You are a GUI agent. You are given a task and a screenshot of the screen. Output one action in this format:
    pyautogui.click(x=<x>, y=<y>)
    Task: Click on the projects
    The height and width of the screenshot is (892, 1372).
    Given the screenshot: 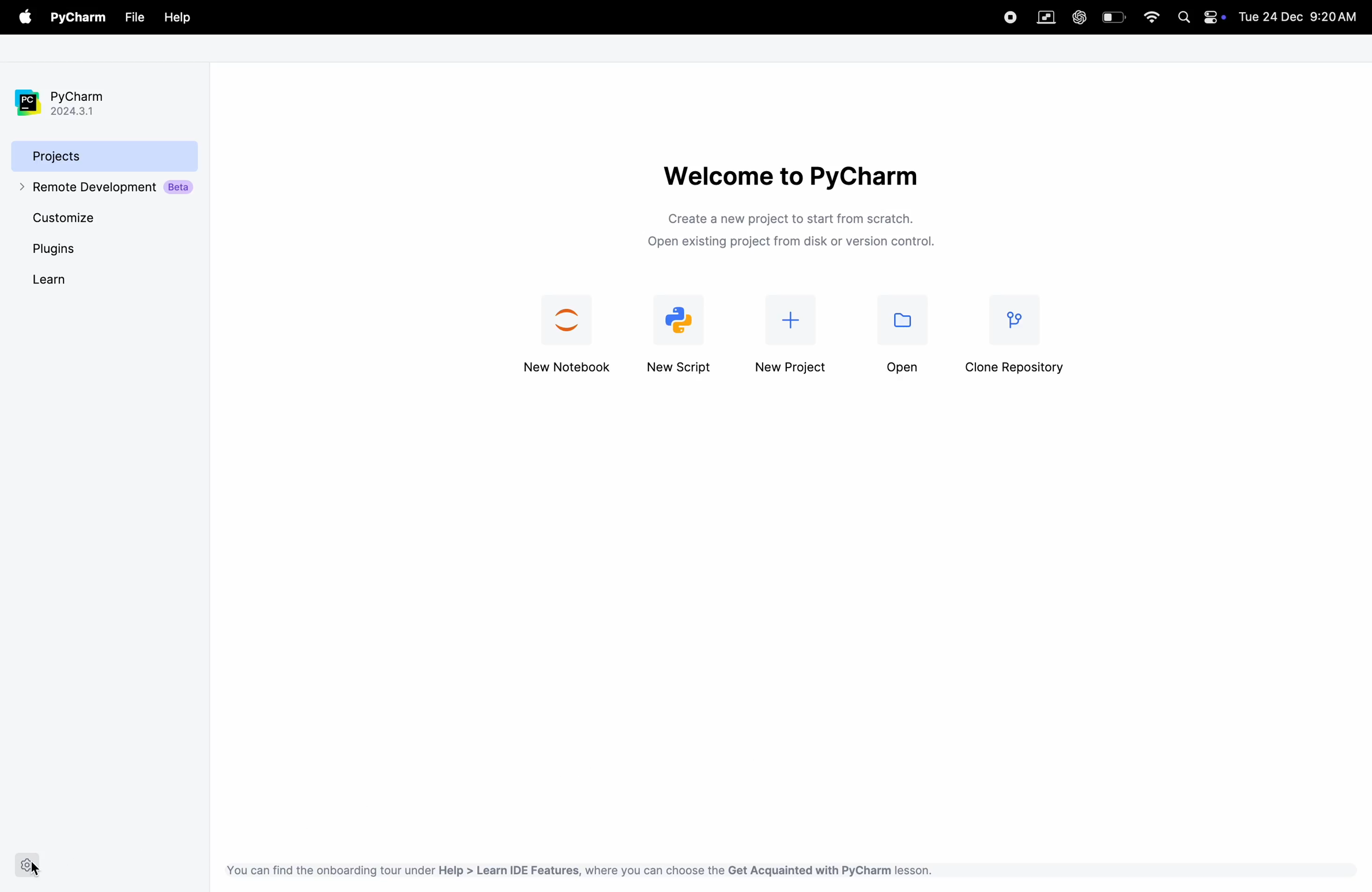 What is the action you would take?
    pyautogui.click(x=105, y=155)
    